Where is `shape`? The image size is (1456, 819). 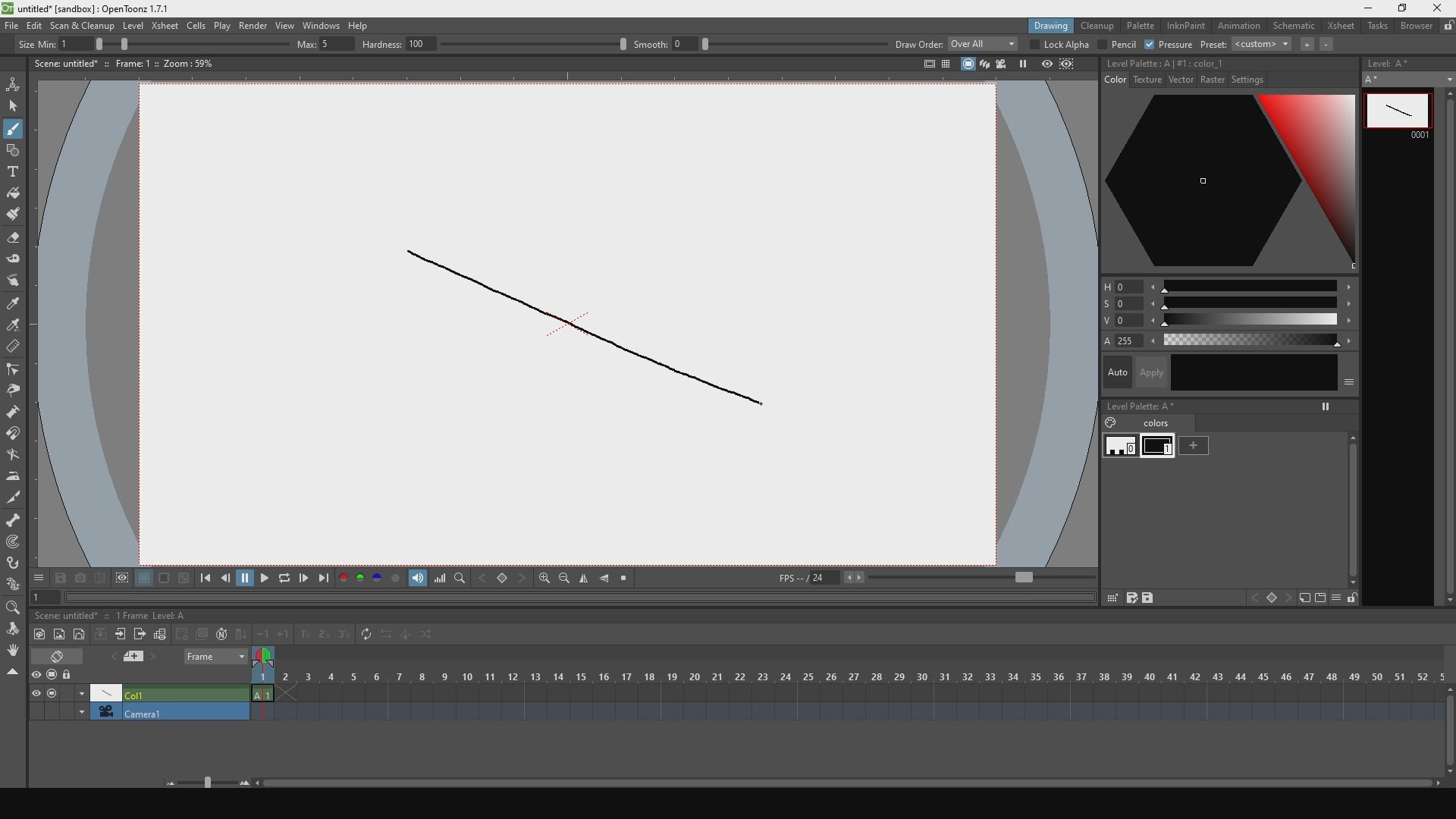
shape is located at coordinates (18, 150).